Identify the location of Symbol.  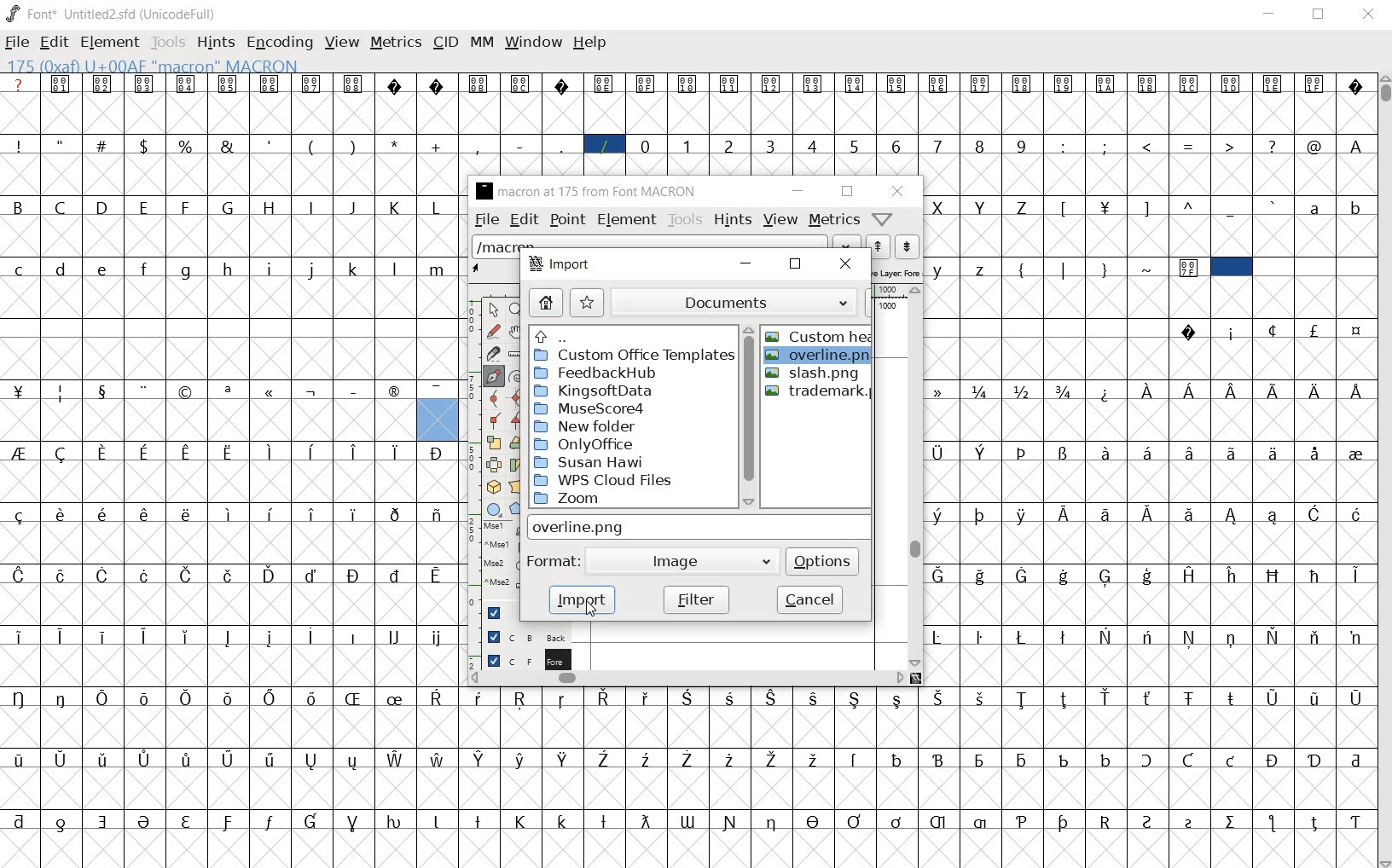
(1354, 576).